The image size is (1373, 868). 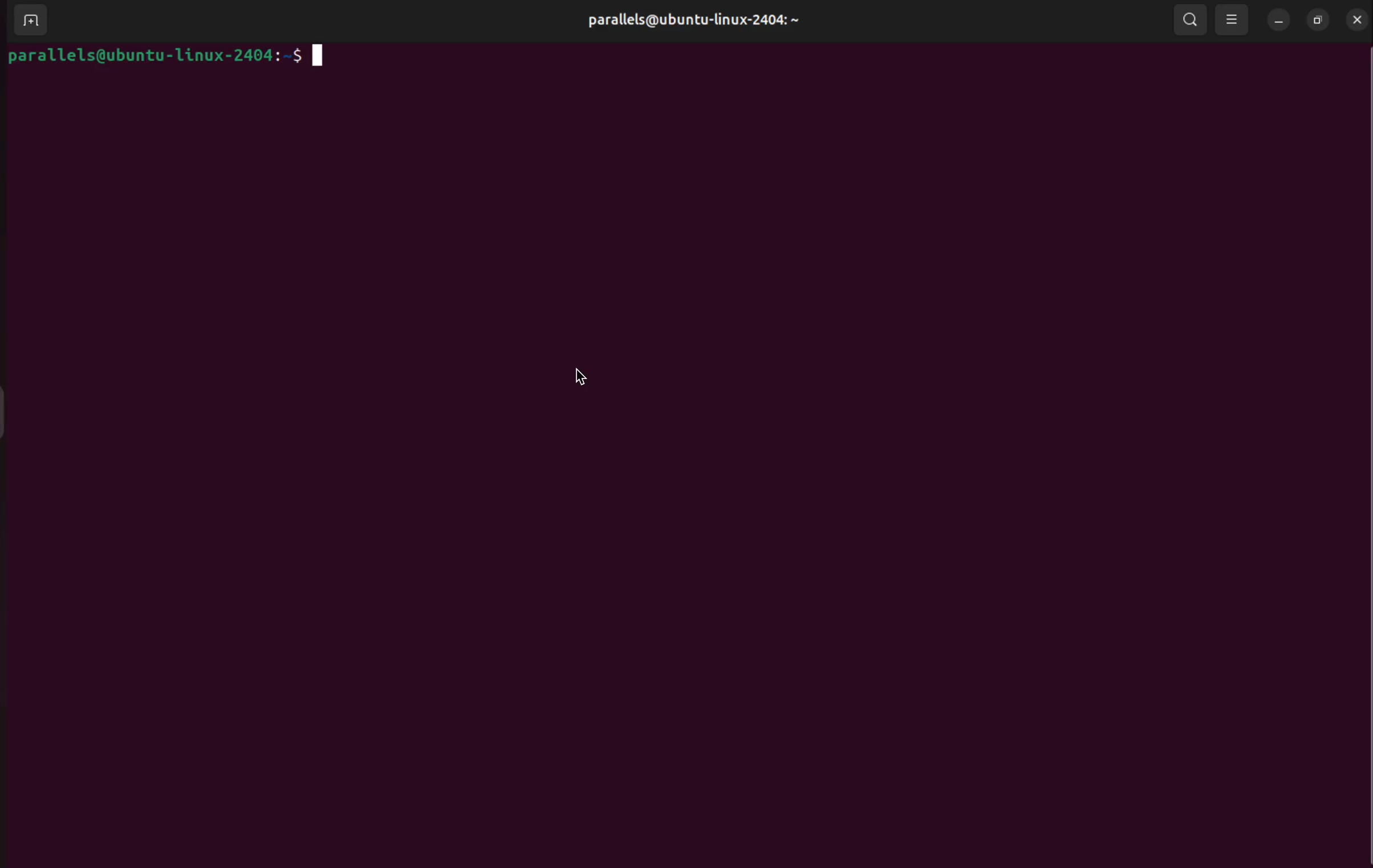 What do you see at coordinates (30, 19) in the screenshot?
I see `add terminal` at bounding box center [30, 19].